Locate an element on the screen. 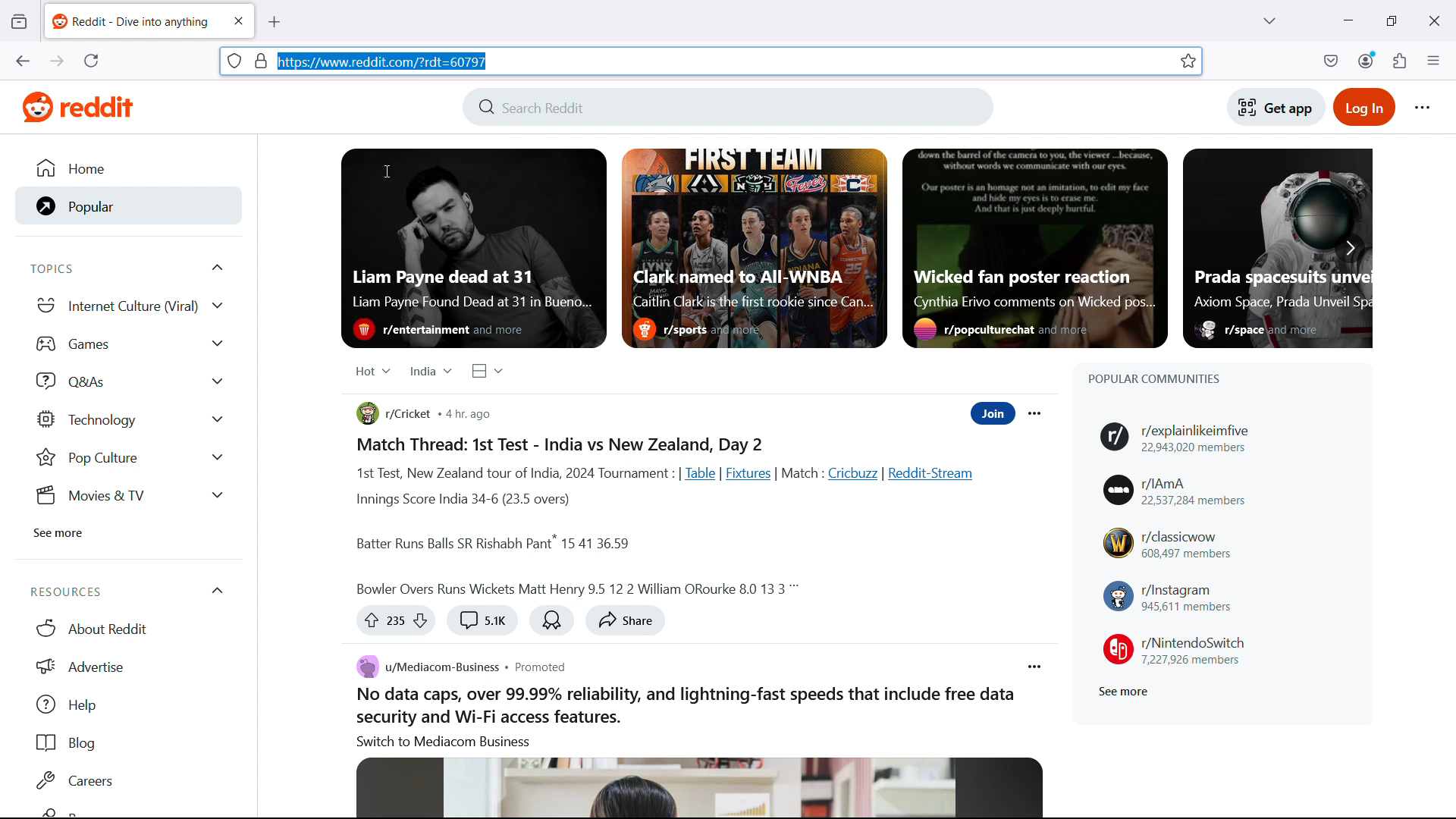 This screenshot has width=1456, height=819. r/NintendoSwitch is located at coordinates (1175, 648).